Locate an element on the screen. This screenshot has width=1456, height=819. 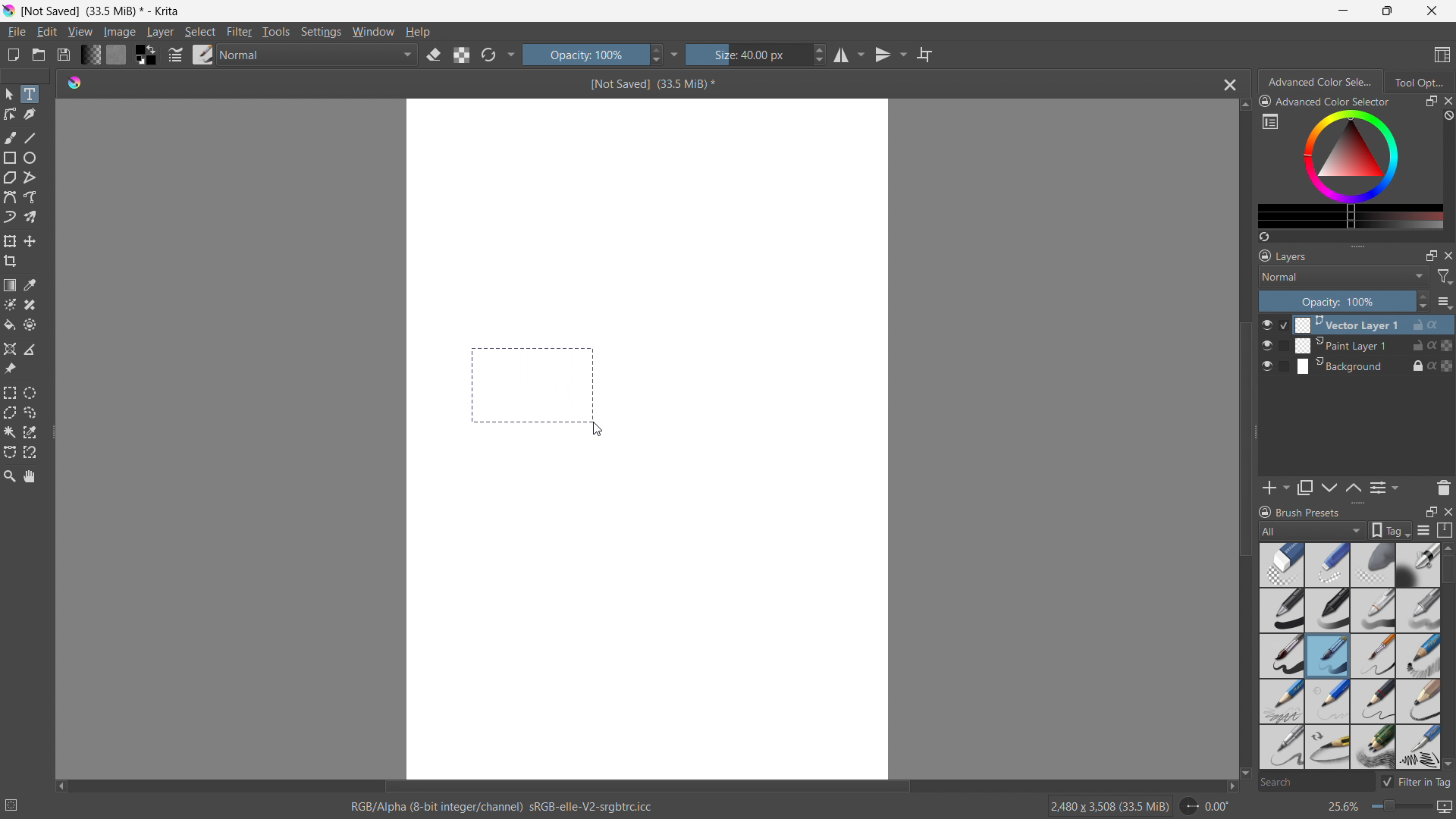
pencil is located at coordinates (1281, 701).